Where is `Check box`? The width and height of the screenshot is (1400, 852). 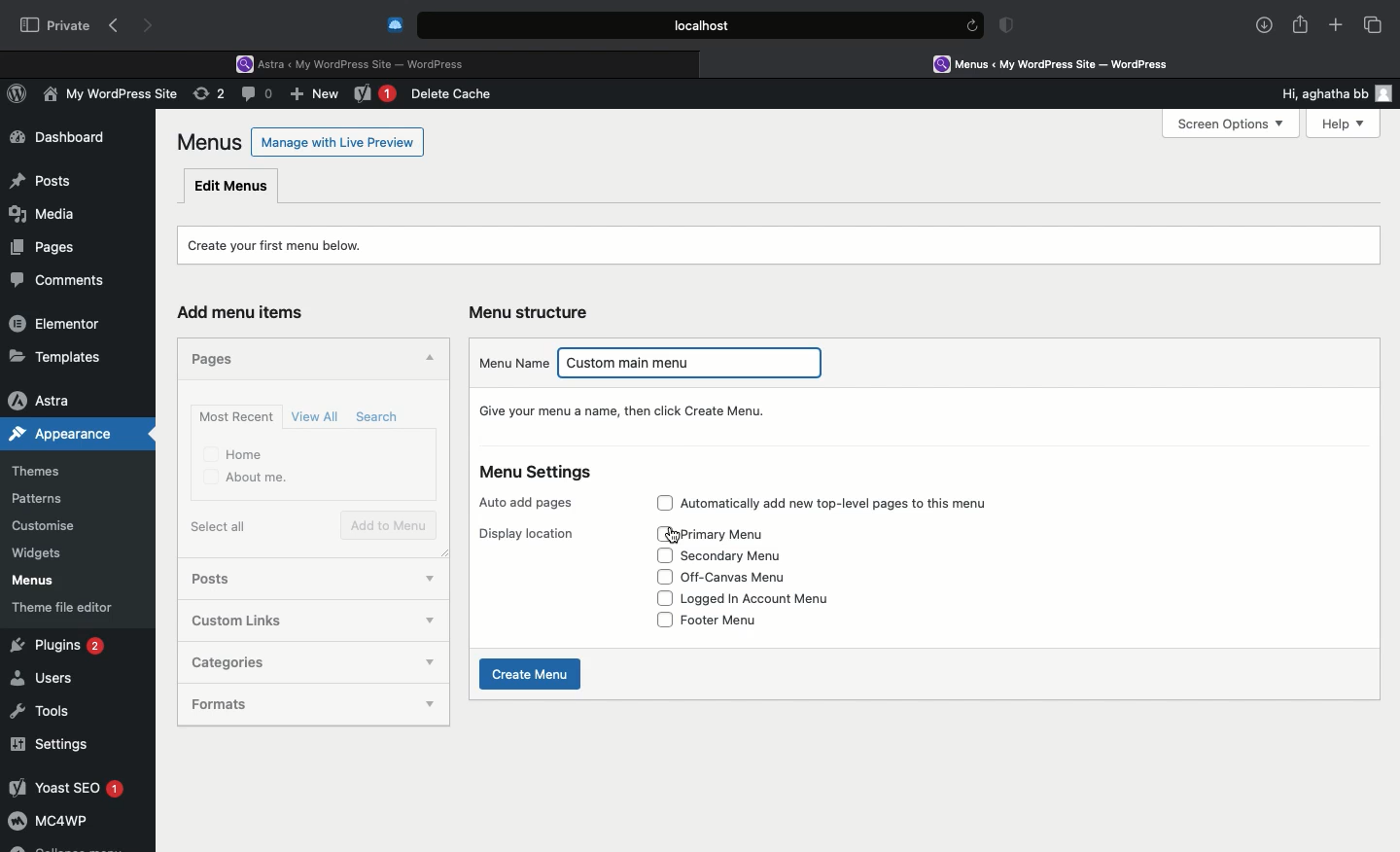 Check box is located at coordinates (658, 503).